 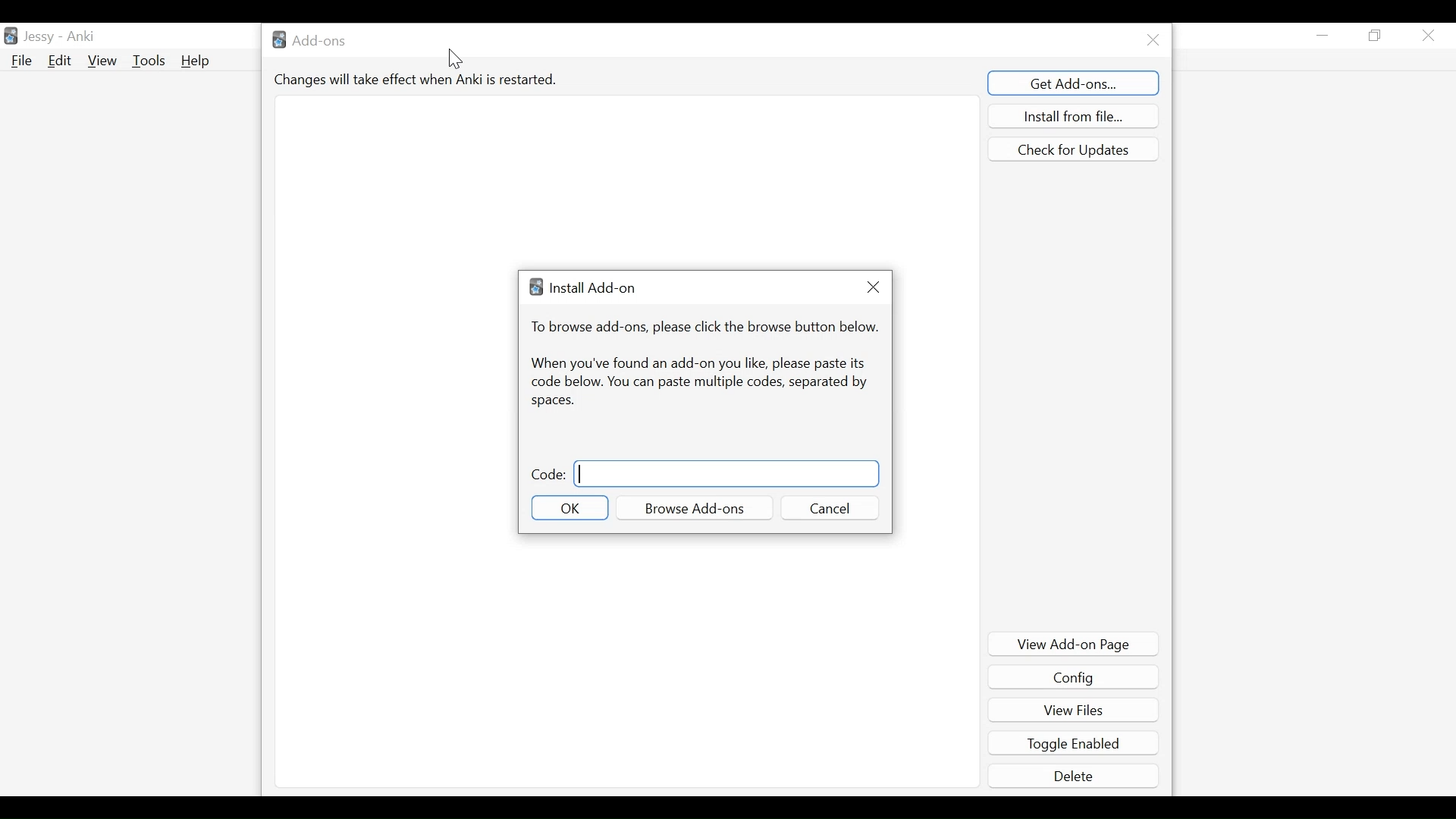 What do you see at coordinates (1375, 36) in the screenshot?
I see `Restore` at bounding box center [1375, 36].